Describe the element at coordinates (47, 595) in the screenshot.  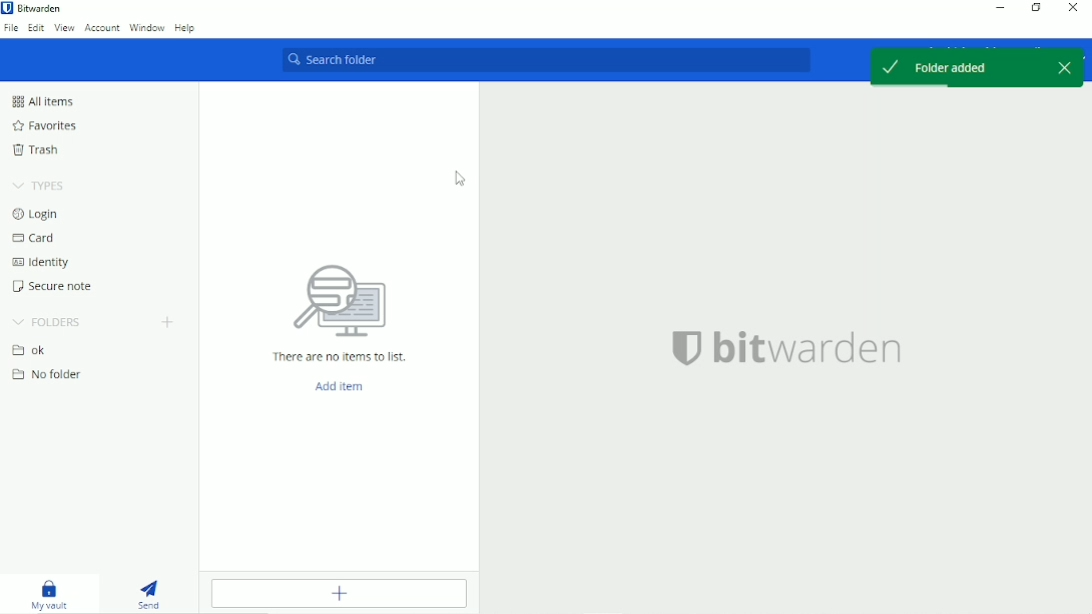
I see `My vault` at that location.